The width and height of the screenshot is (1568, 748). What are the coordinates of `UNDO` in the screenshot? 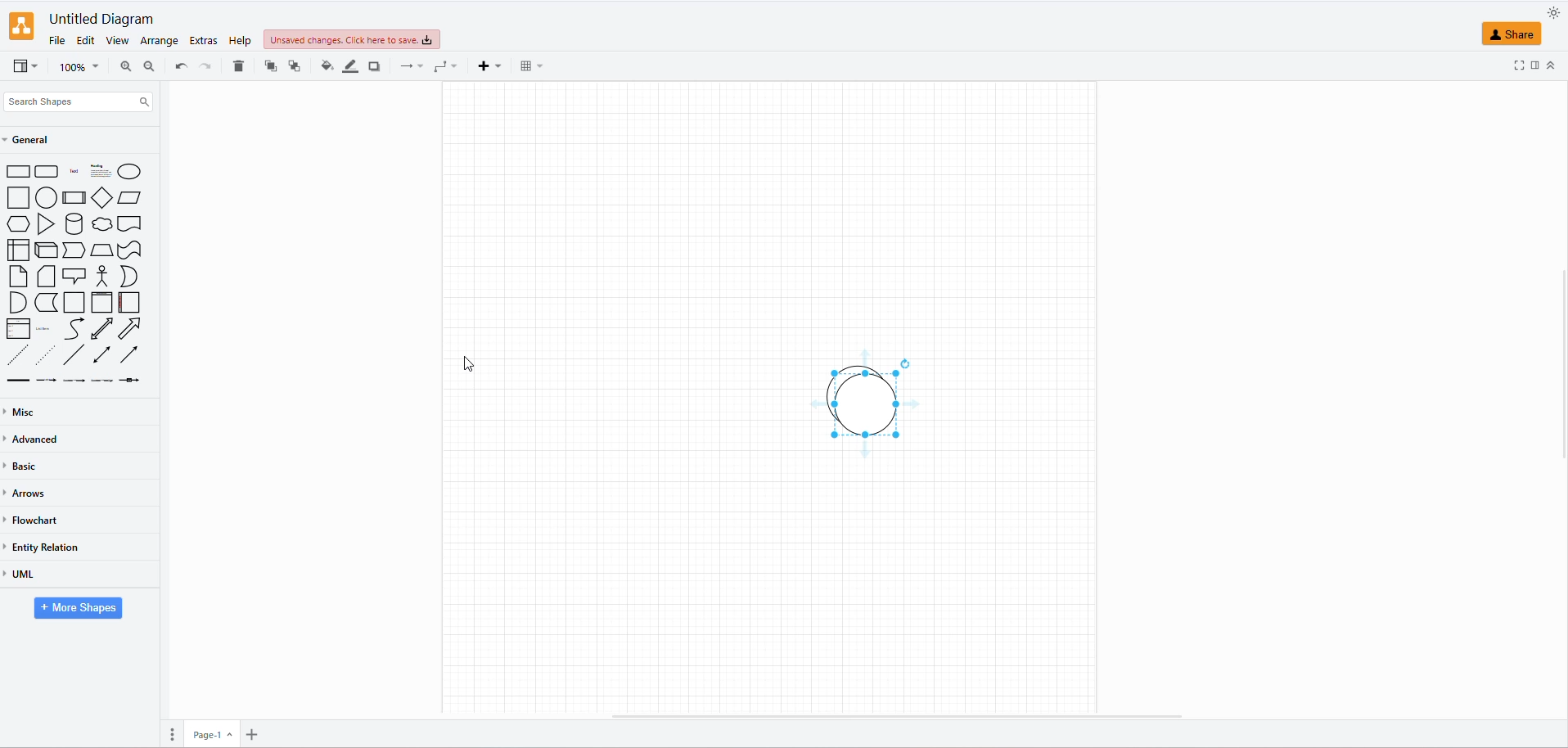 It's located at (179, 67).